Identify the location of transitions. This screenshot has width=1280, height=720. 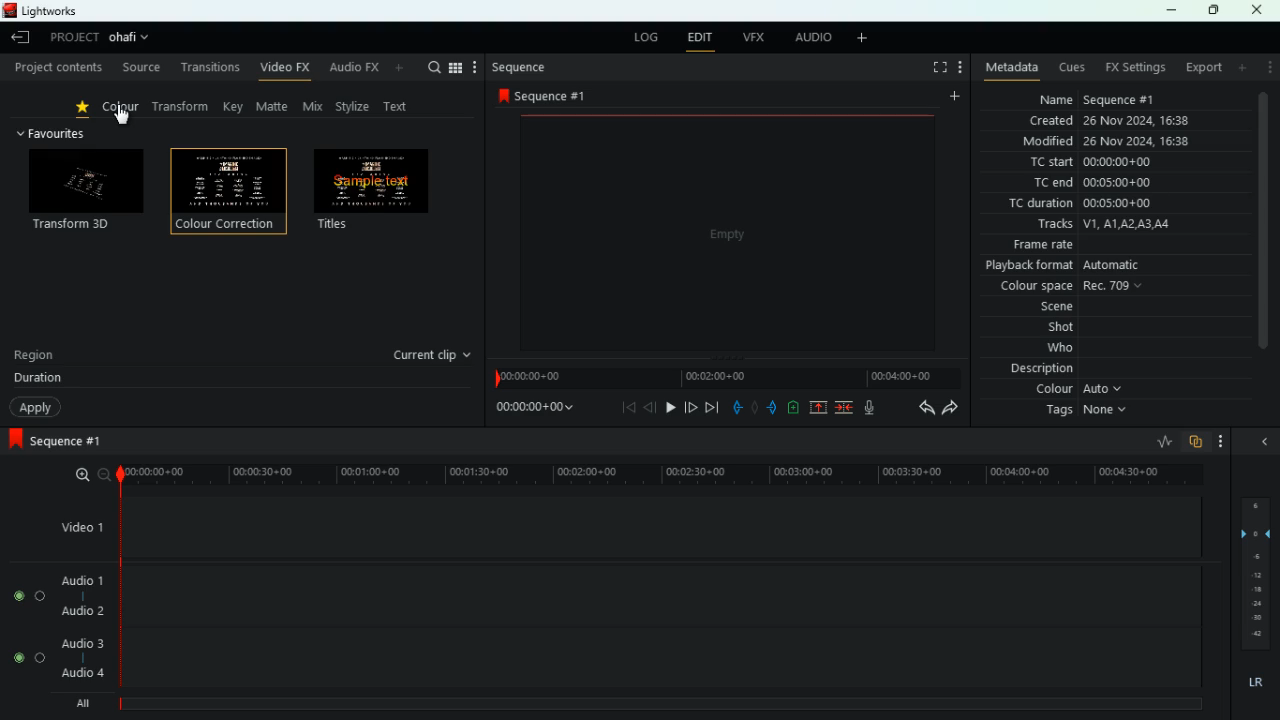
(209, 67).